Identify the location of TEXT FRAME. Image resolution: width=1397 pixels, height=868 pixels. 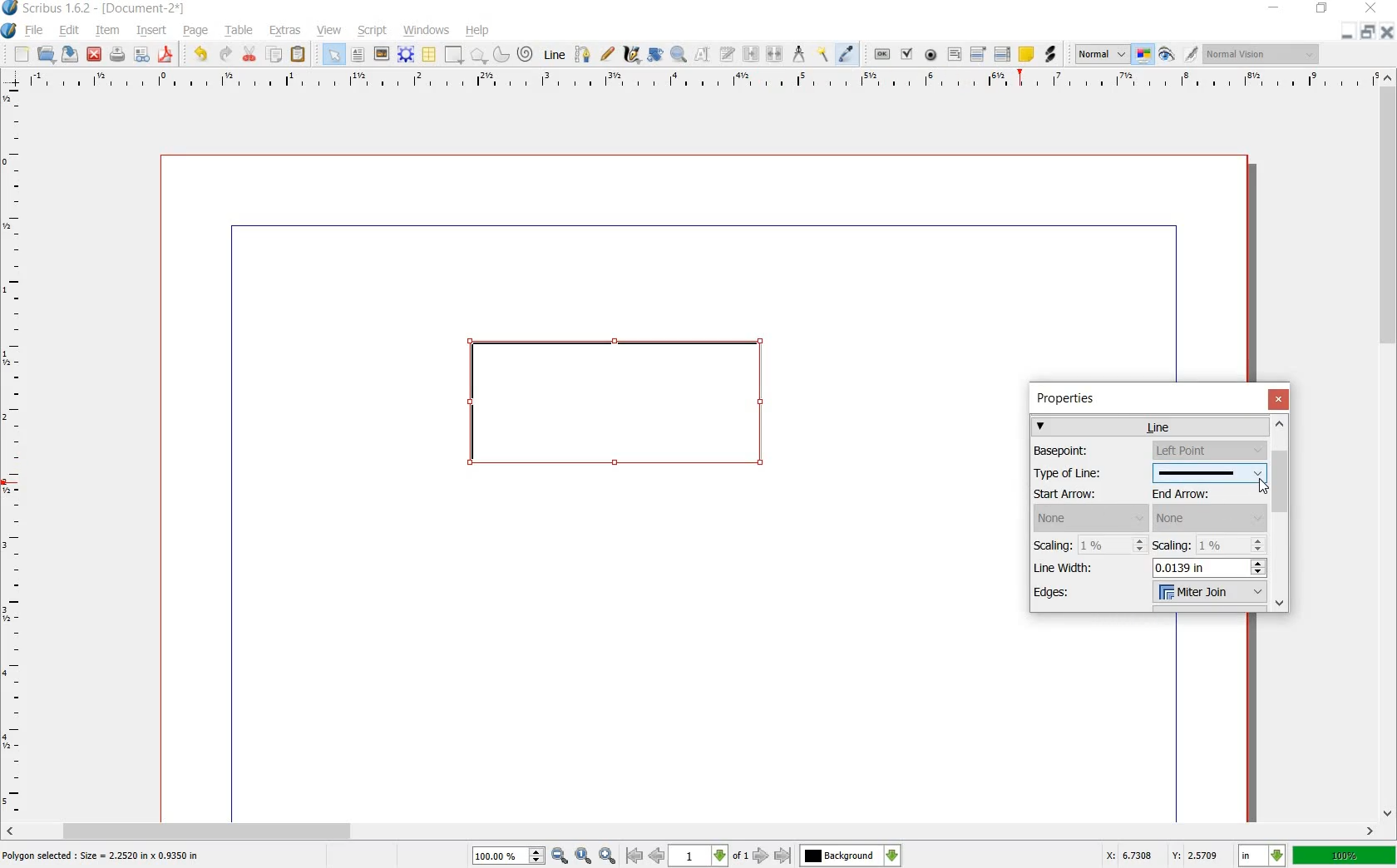
(358, 55).